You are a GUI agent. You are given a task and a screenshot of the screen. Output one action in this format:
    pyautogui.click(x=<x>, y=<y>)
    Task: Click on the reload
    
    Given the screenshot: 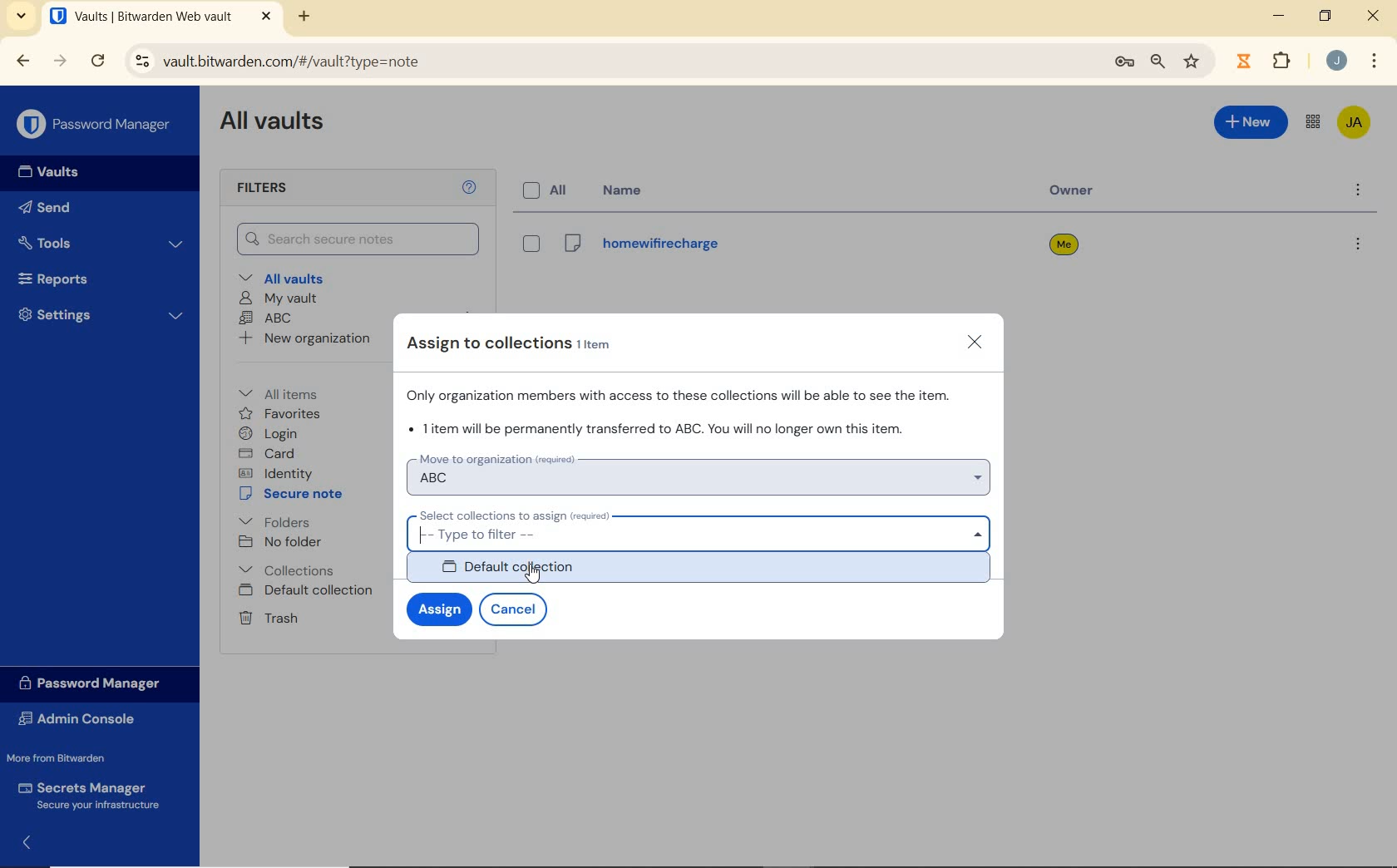 What is the action you would take?
    pyautogui.click(x=97, y=62)
    